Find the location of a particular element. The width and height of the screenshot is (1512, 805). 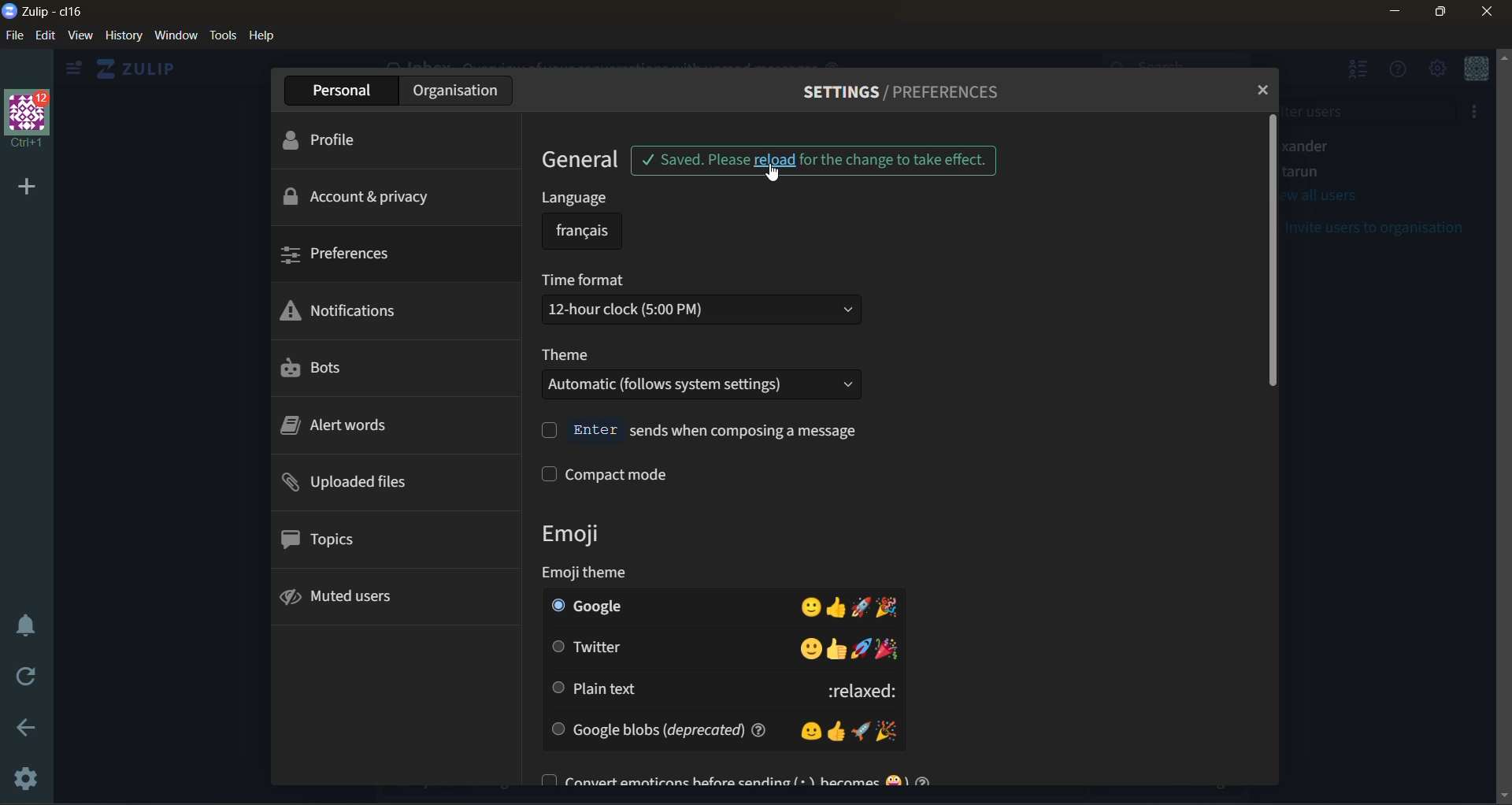

organisation name and profile picture is located at coordinates (28, 117).